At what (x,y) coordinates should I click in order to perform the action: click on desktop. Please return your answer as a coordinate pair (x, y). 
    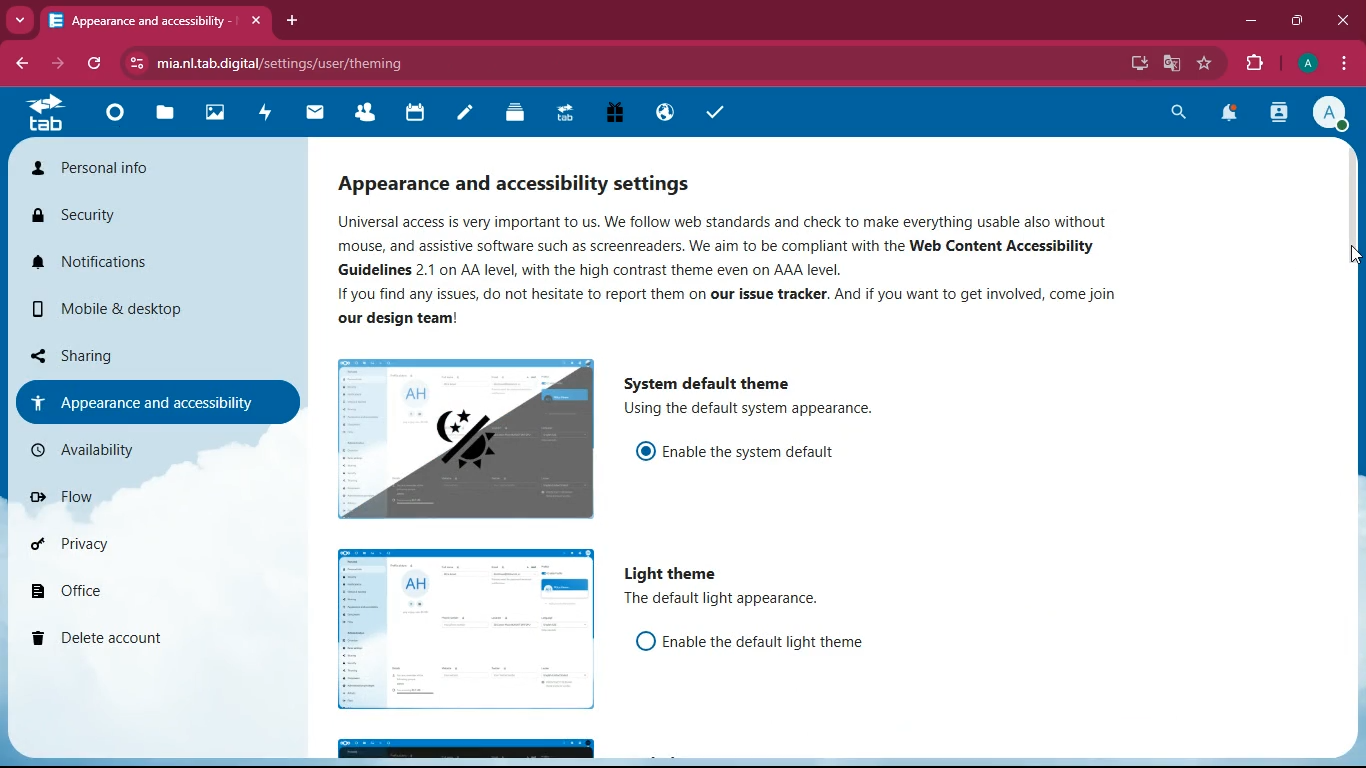
    Looking at the image, I should click on (1137, 65).